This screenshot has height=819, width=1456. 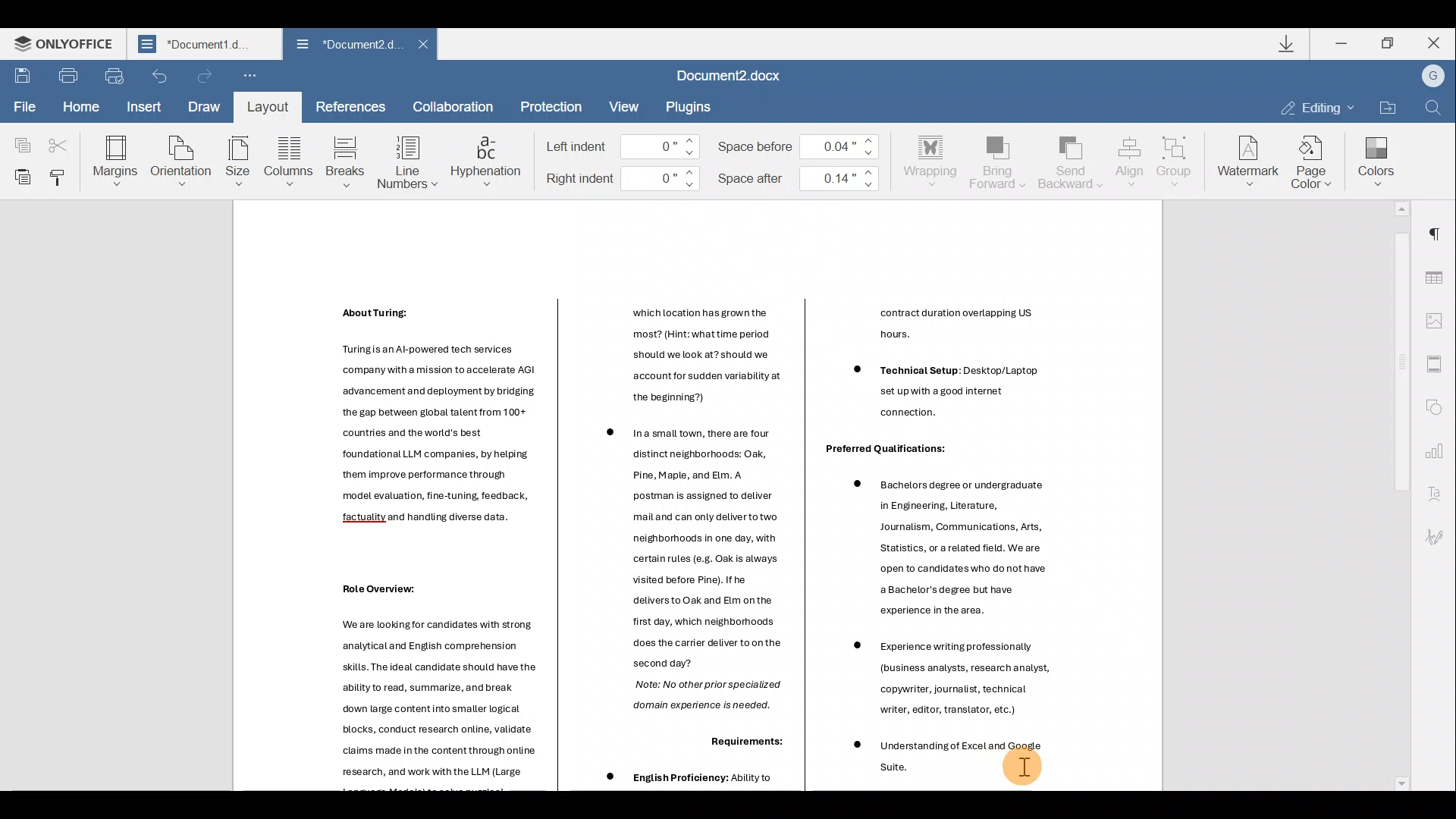 What do you see at coordinates (67, 47) in the screenshot?
I see `ONLYOFFICE` at bounding box center [67, 47].